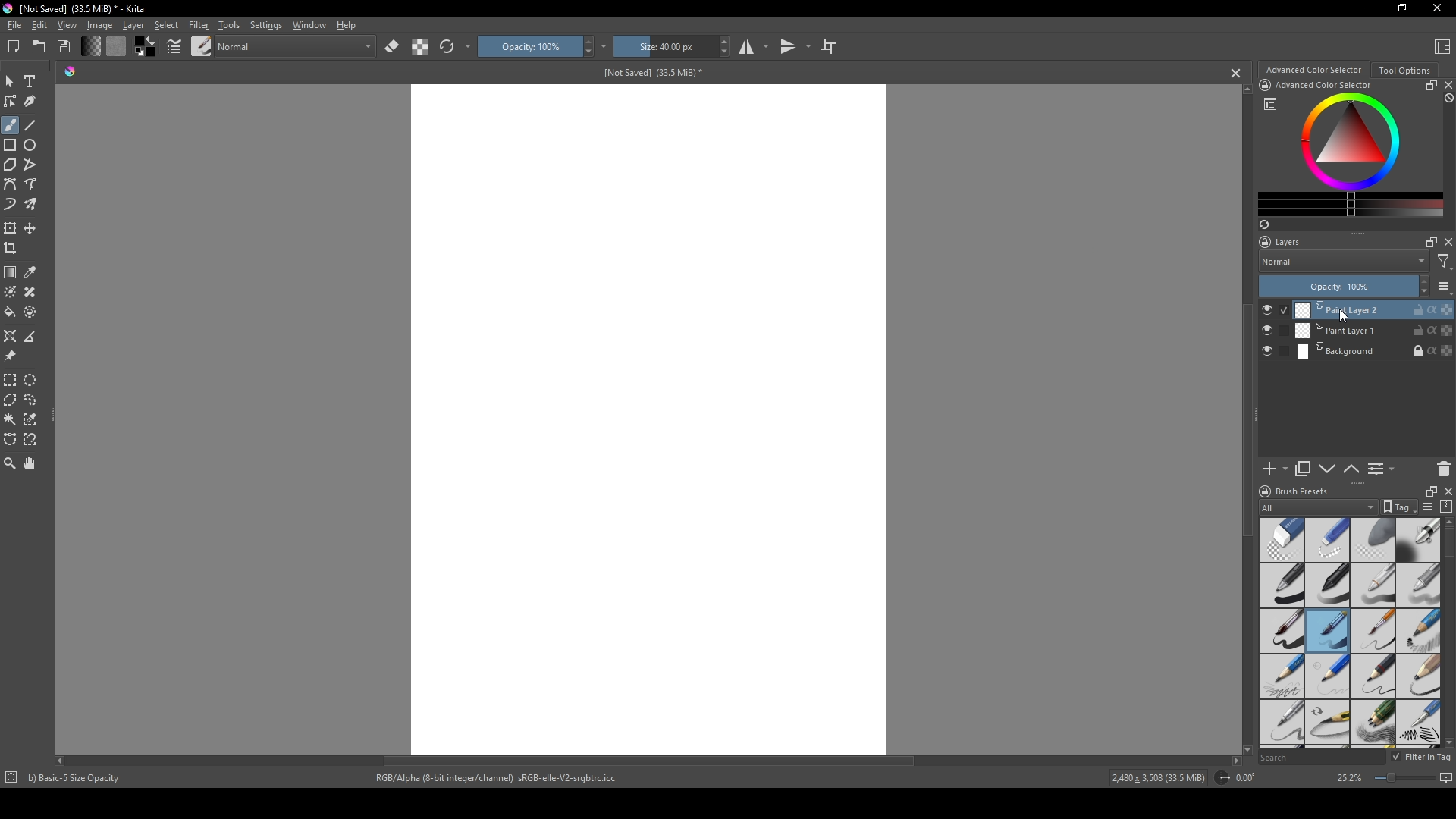  What do you see at coordinates (33, 379) in the screenshot?
I see `elliptical` at bounding box center [33, 379].